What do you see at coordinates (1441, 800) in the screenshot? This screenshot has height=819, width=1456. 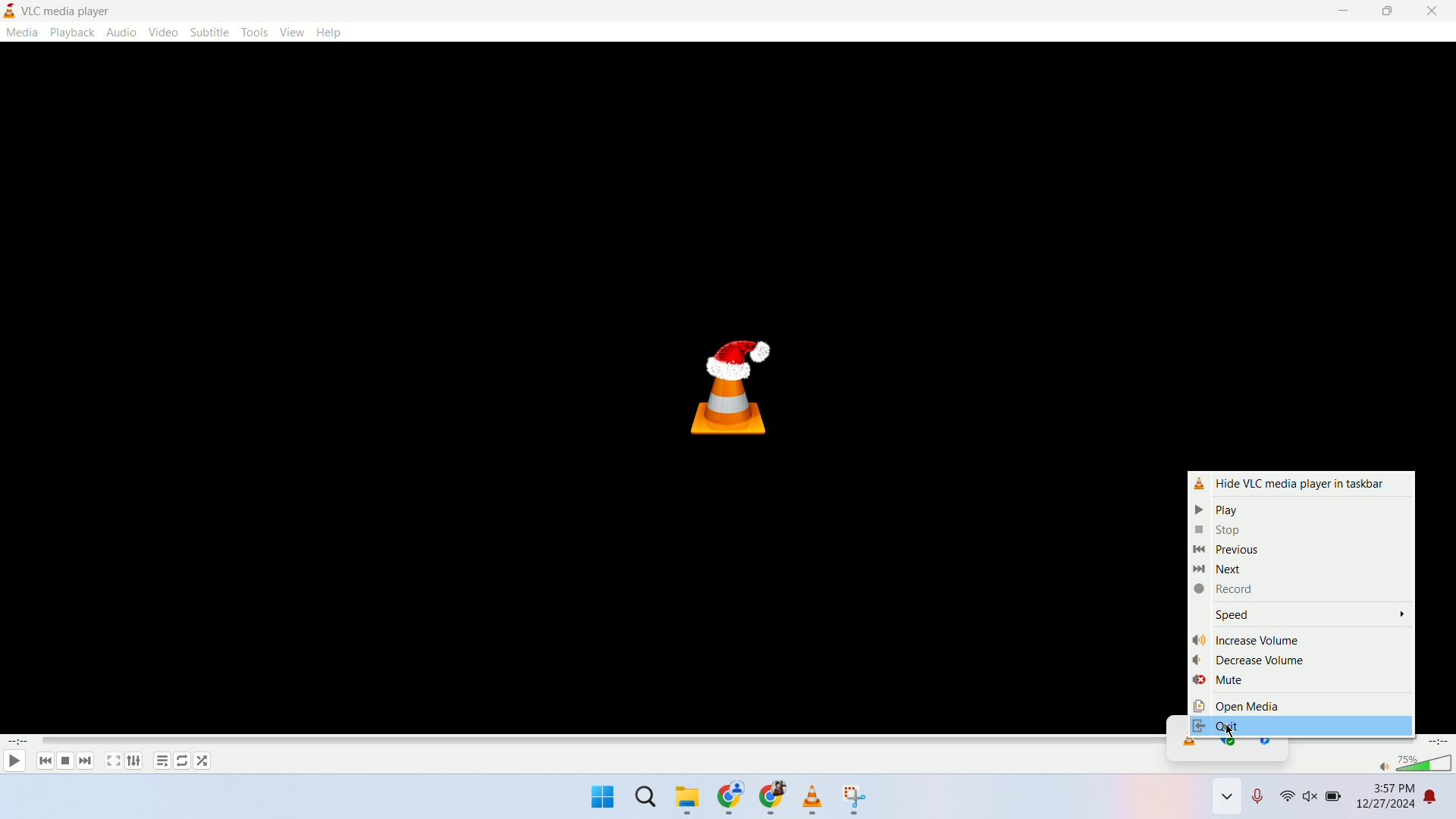 I see `notifications` at bounding box center [1441, 800].